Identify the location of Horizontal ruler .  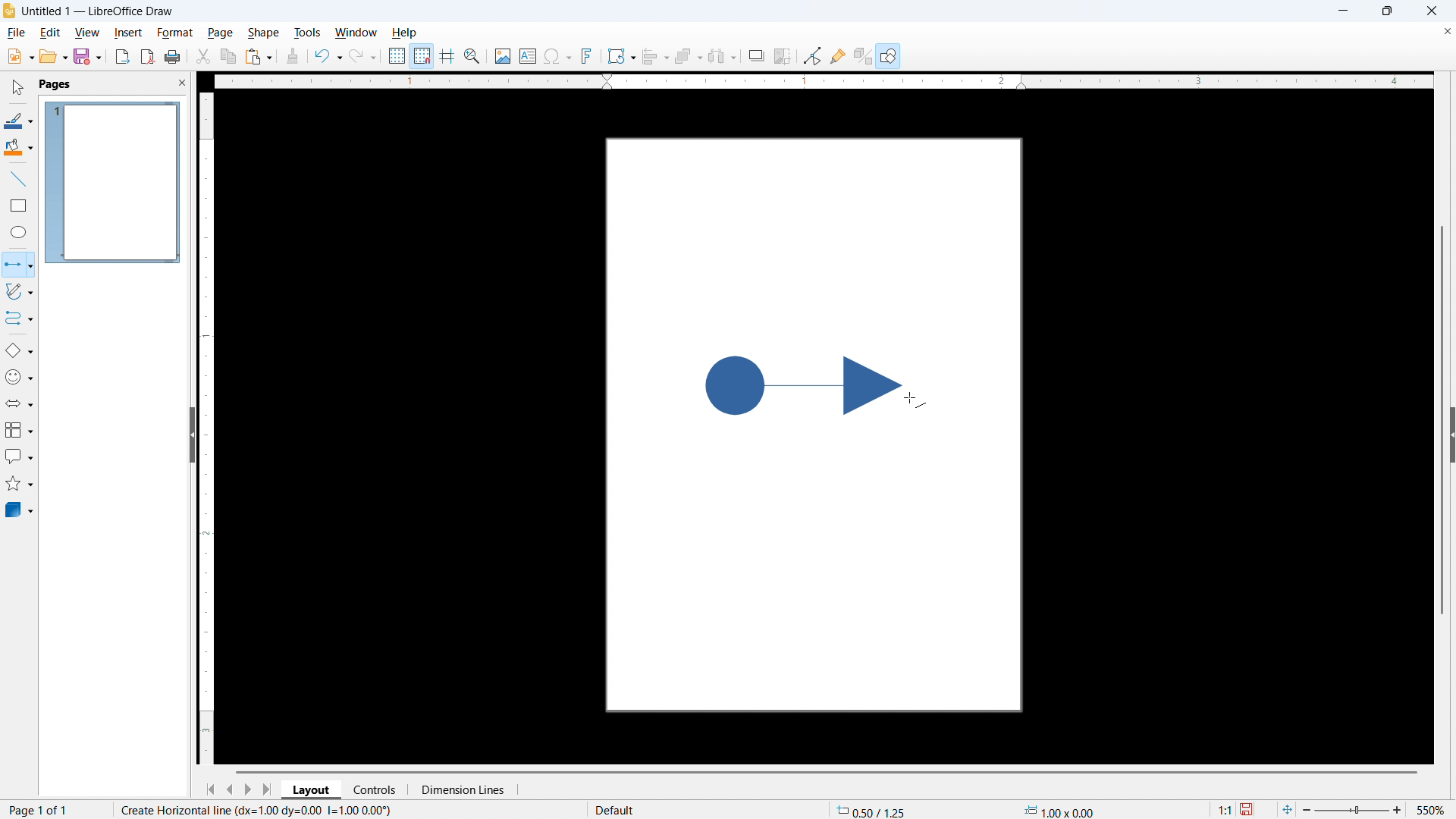
(823, 81).